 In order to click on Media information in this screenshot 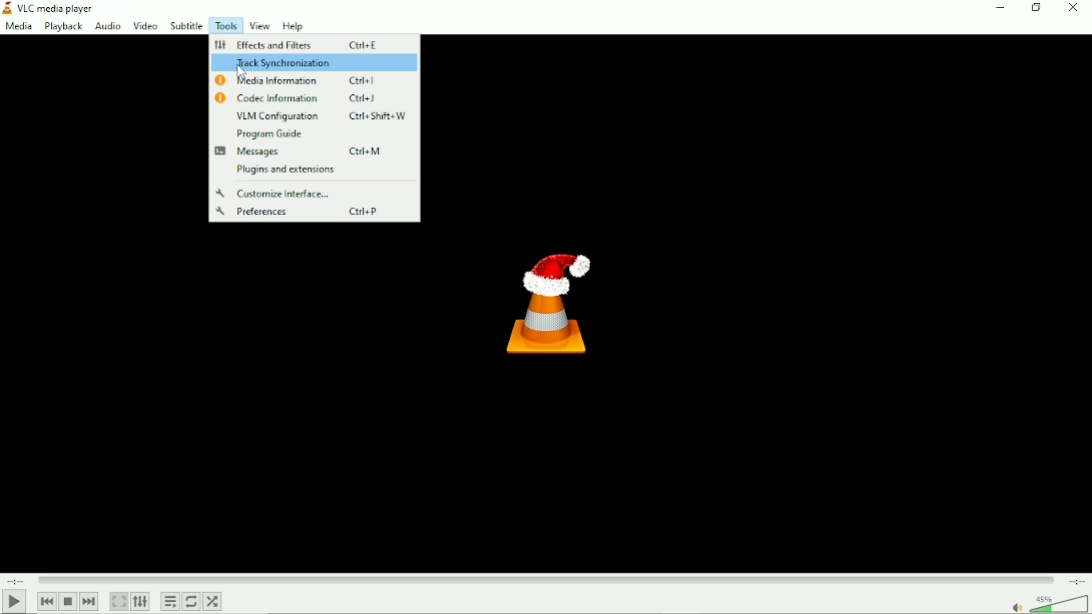, I will do `click(308, 81)`.